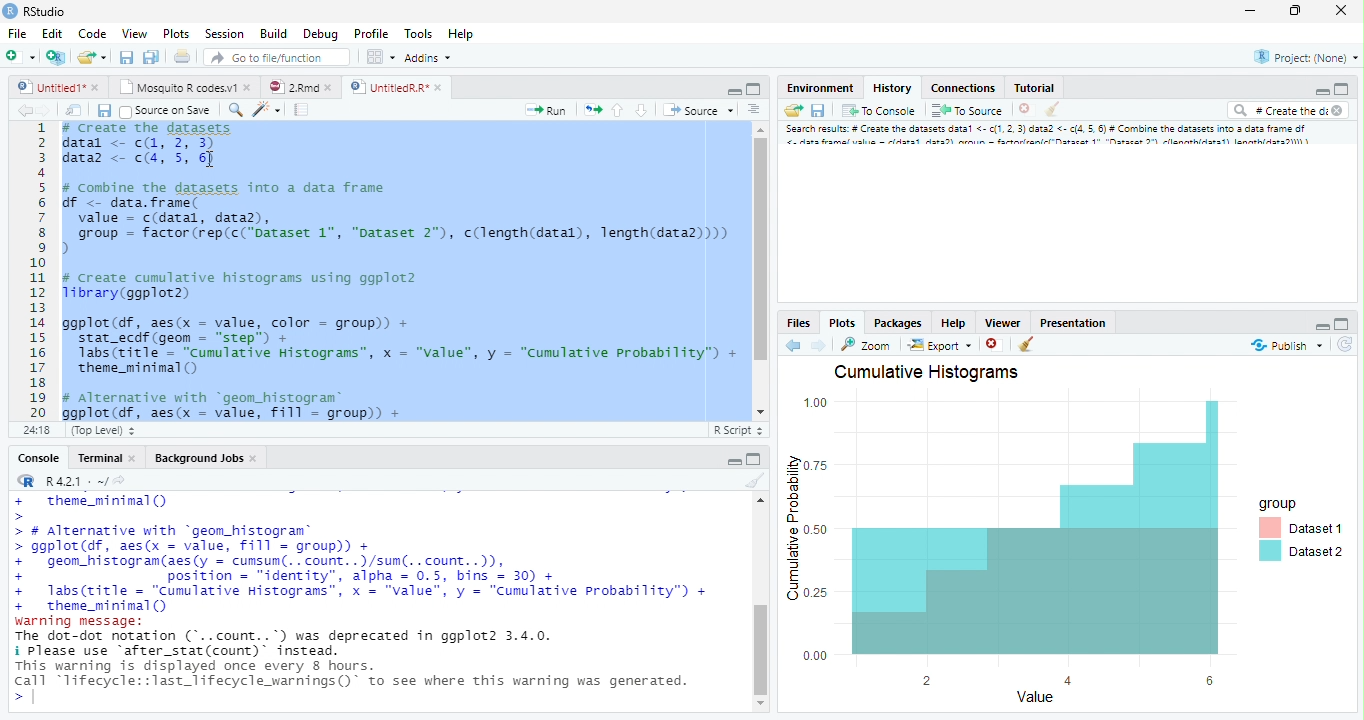 The height and width of the screenshot is (720, 1364). Describe the element at coordinates (1002, 323) in the screenshot. I see `Viewer` at that location.